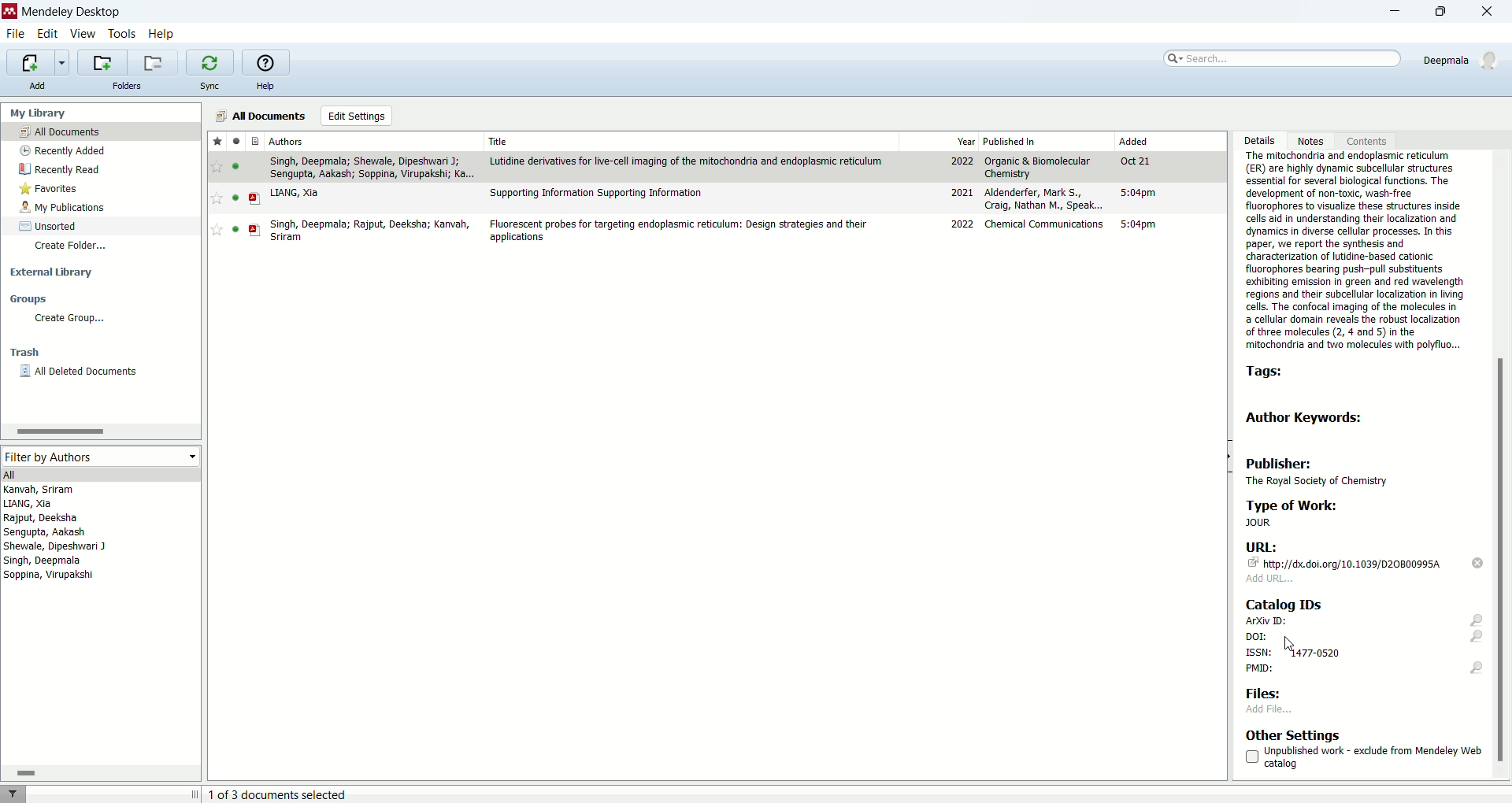 The image size is (1512, 803). Describe the element at coordinates (73, 247) in the screenshot. I see `create folder` at that location.